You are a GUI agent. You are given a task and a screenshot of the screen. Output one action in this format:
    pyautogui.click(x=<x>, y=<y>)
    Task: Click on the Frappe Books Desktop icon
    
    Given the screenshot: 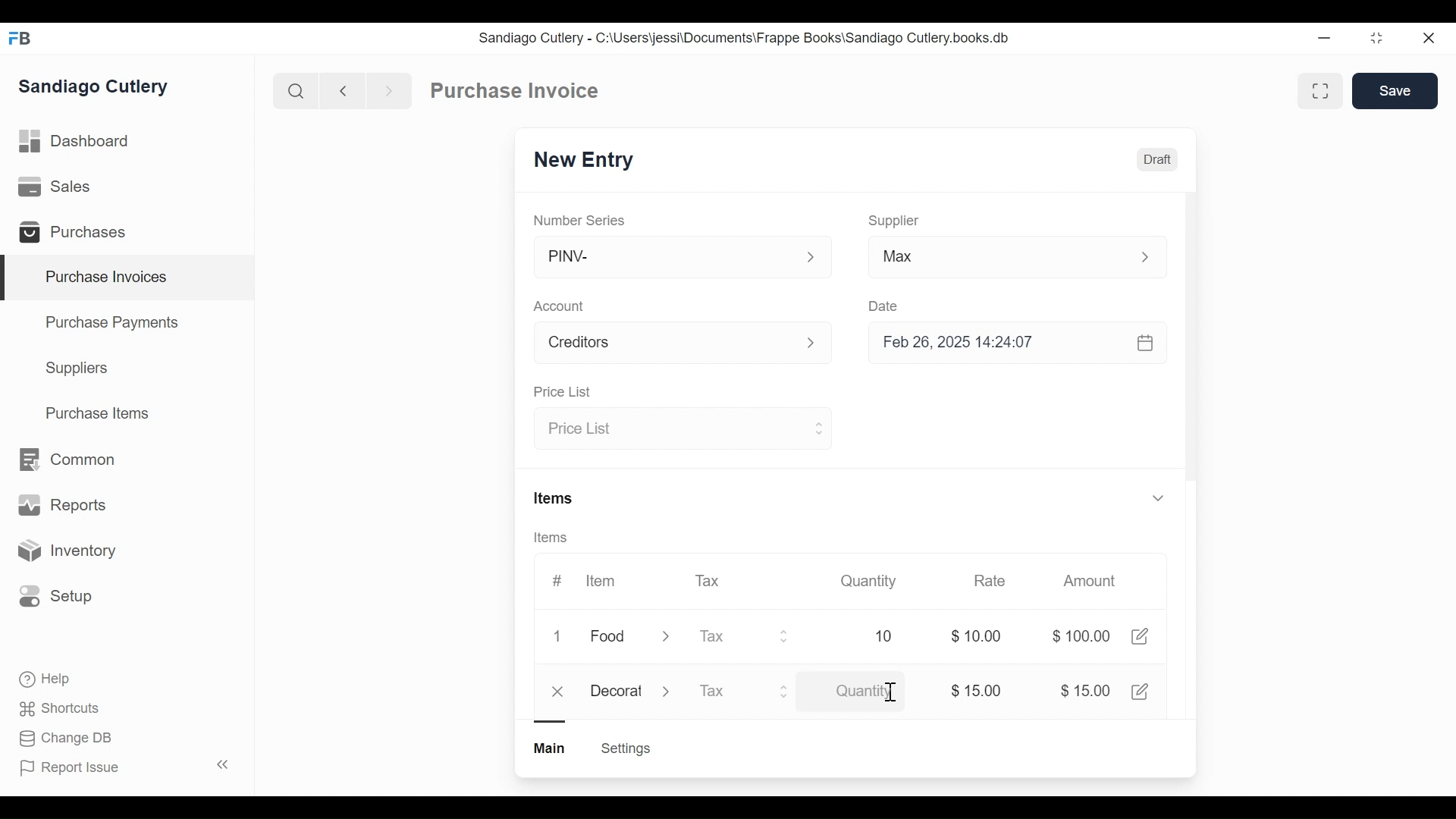 What is the action you would take?
    pyautogui.click(x=25, y=39)
    